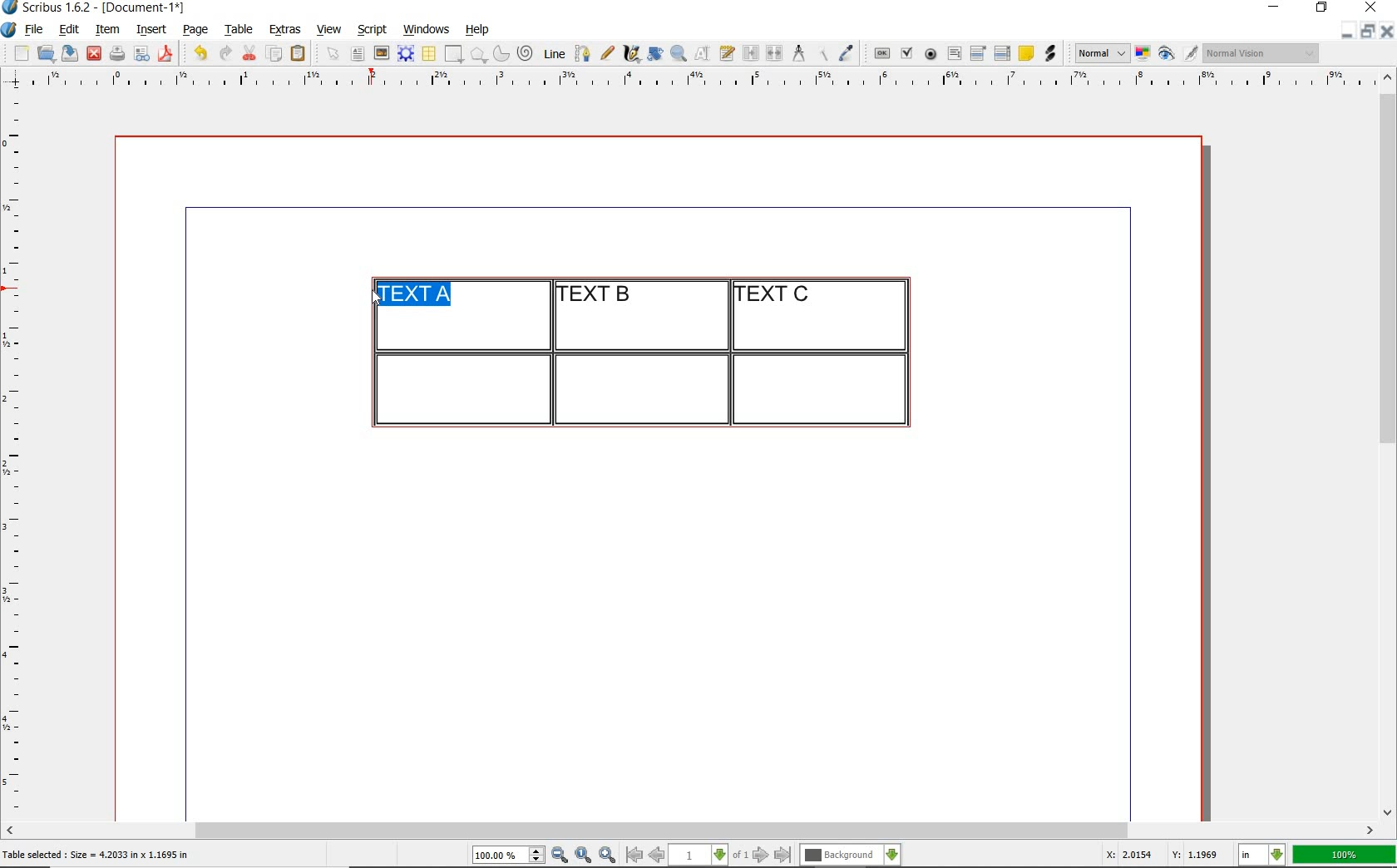 This screenshot has height=868, width=1397. Describe the element at coordinates (224, 52) in the screenshot. I see `redo` at that location.